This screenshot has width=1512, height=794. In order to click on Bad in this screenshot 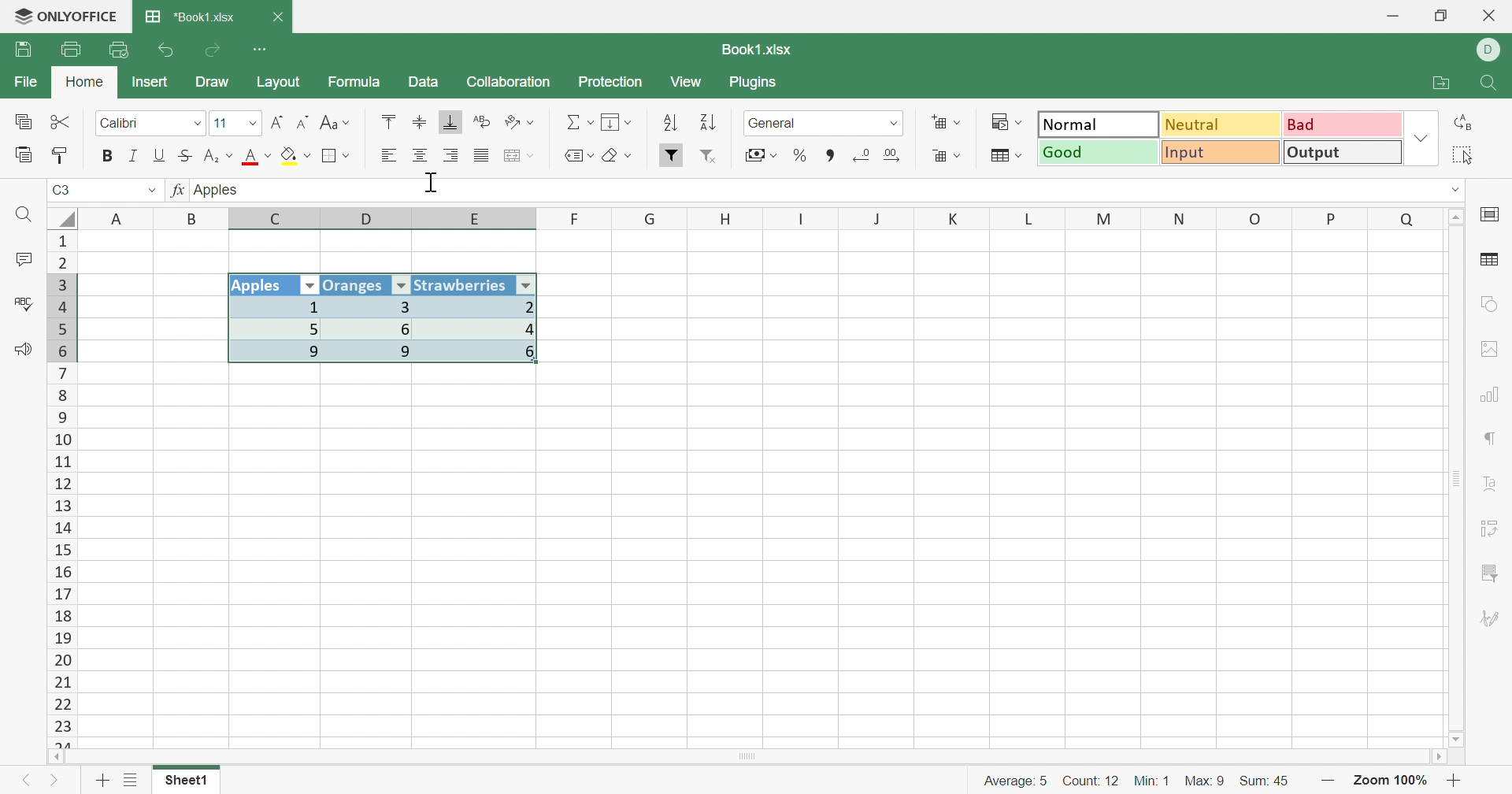, I will do `click(1340, 124)`.